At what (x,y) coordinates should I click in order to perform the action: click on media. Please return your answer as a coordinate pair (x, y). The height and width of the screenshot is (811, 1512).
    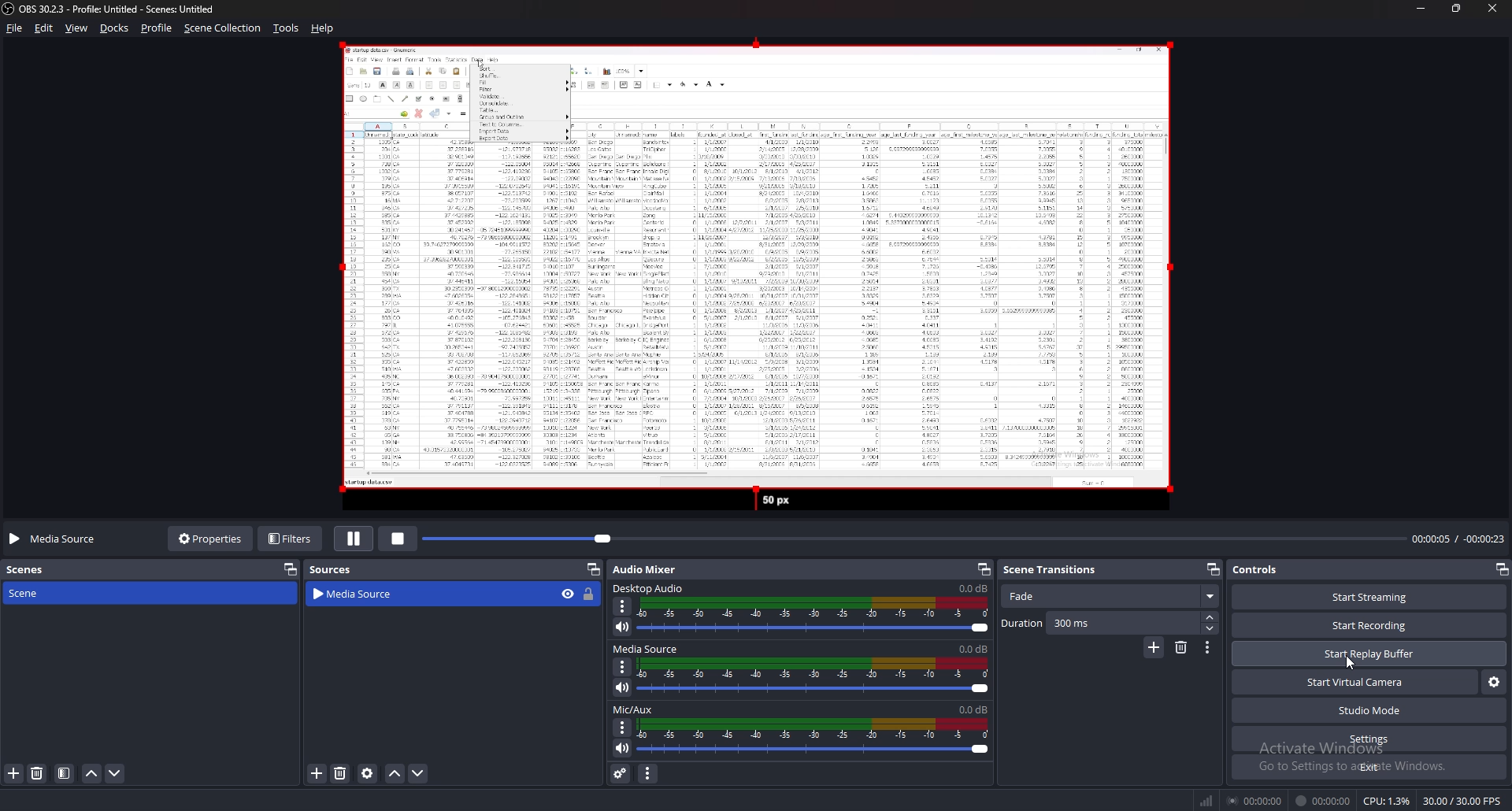
    Looking at the image, I should click on (748, 278).